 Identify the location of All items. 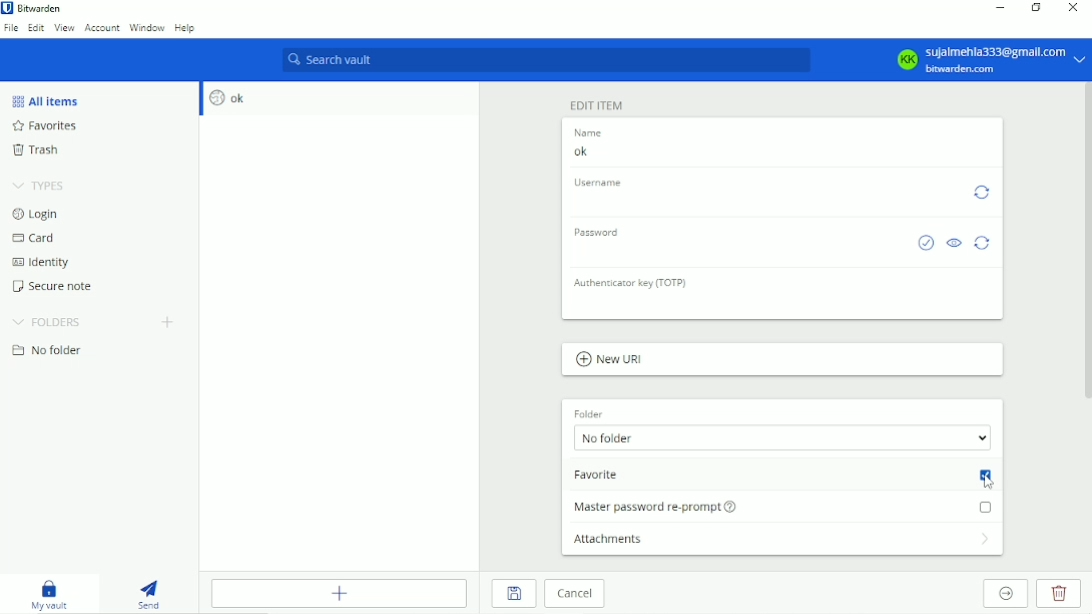
(44, 101).